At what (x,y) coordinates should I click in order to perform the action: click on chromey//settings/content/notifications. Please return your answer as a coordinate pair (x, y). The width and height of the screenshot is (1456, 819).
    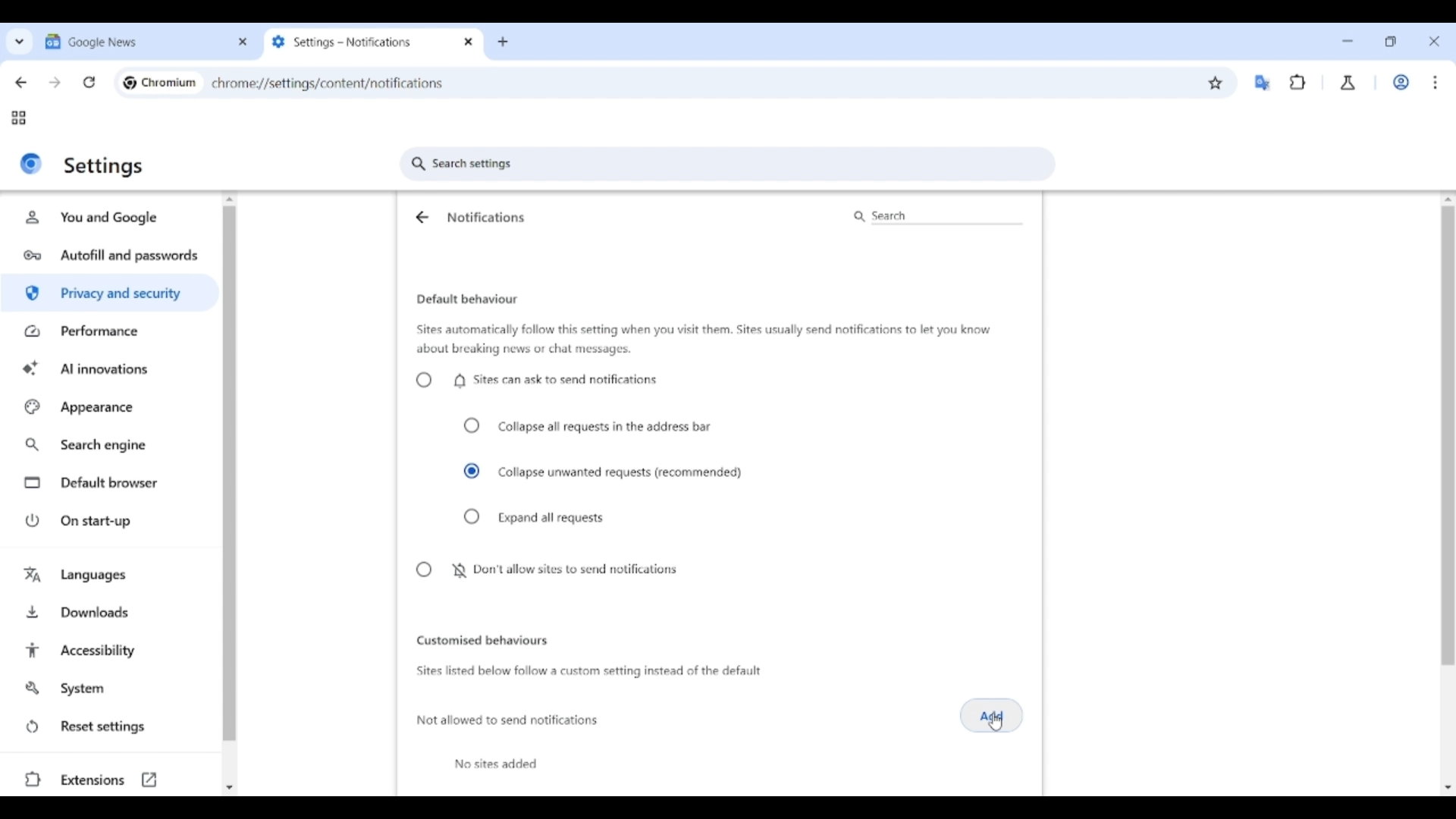
    Looking at the image, I should click on (328, 82).